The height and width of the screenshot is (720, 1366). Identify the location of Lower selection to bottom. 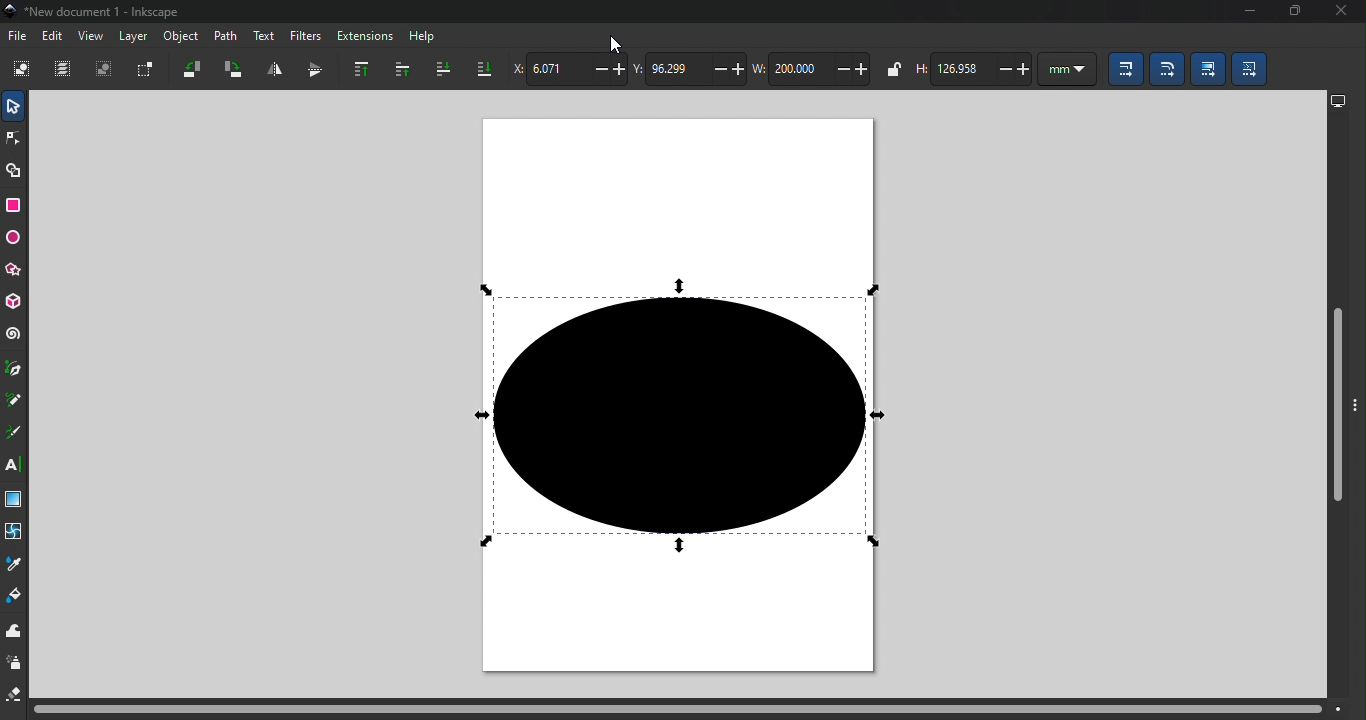
(482, 71).